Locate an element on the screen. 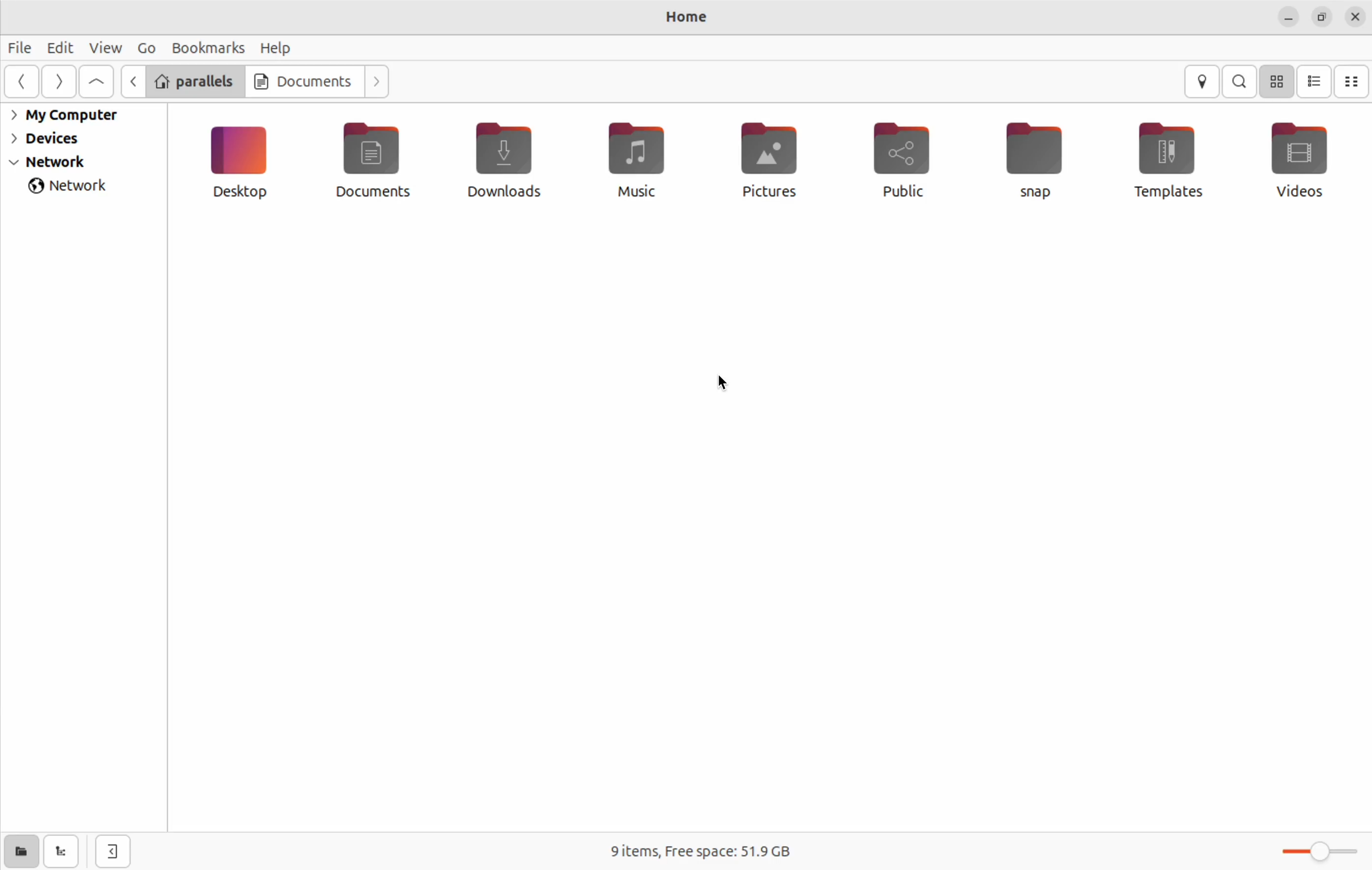 Image resolution: width=1372 pixels, height=870 pixels. music files is located at coordinates (644, 169).